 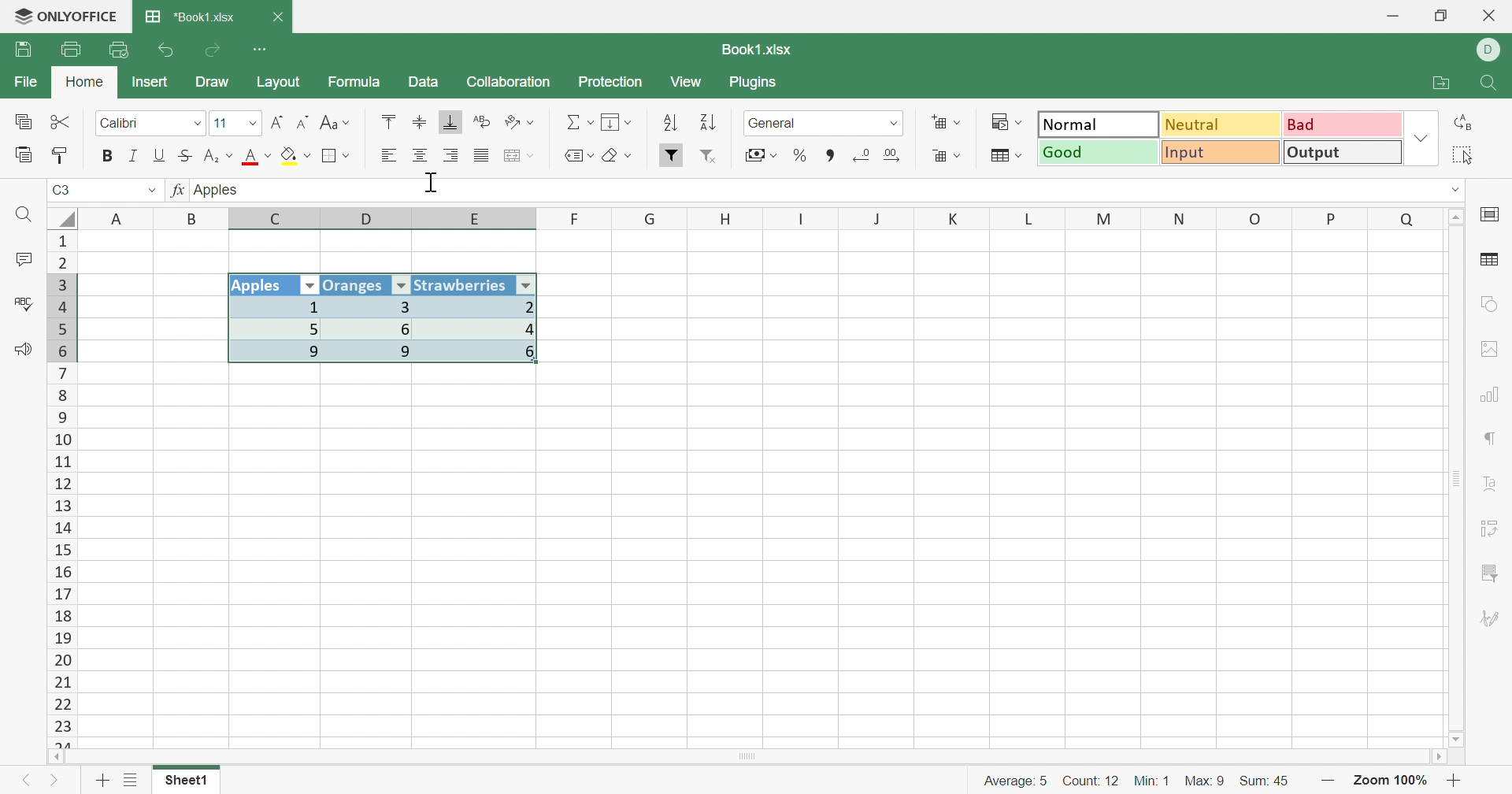 I want to click on fx, so click(x=176, y=191).